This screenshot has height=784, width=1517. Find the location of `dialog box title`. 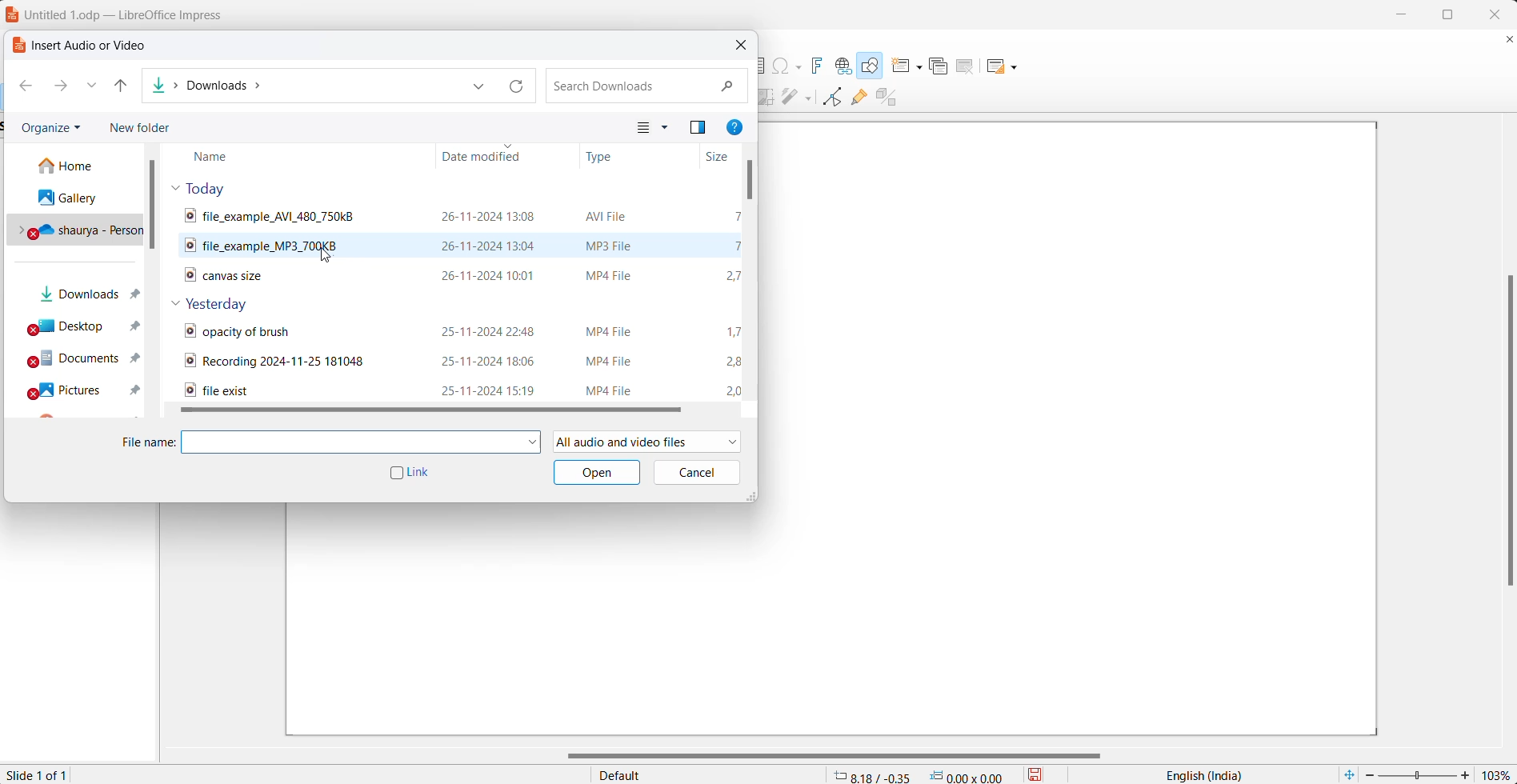

dialog box title is located at coordinates (80, 44).